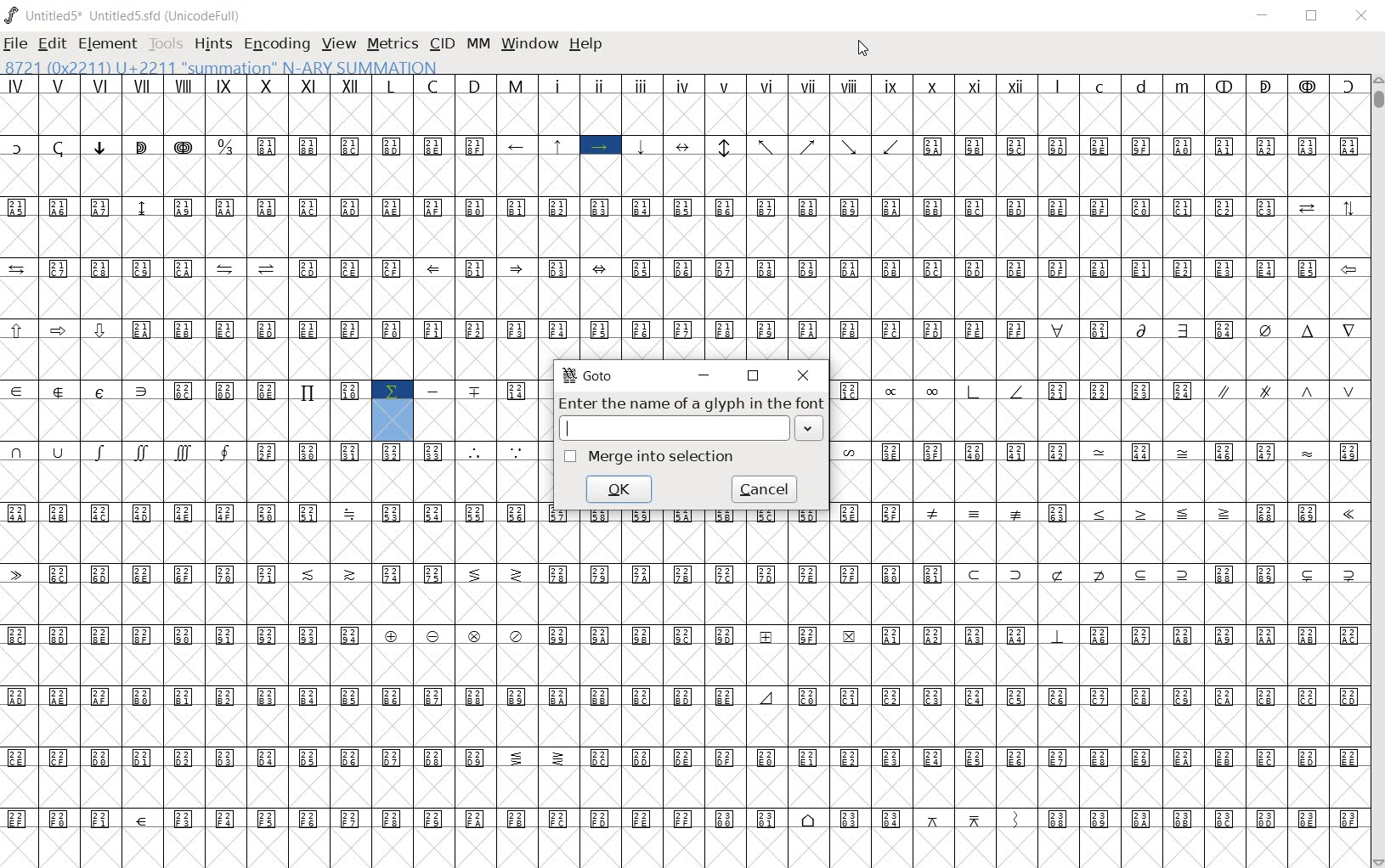  What do you see at coordinates (108, 44) in the screenshot?
I see `ELEMENT` at bounding box center [108, 44].